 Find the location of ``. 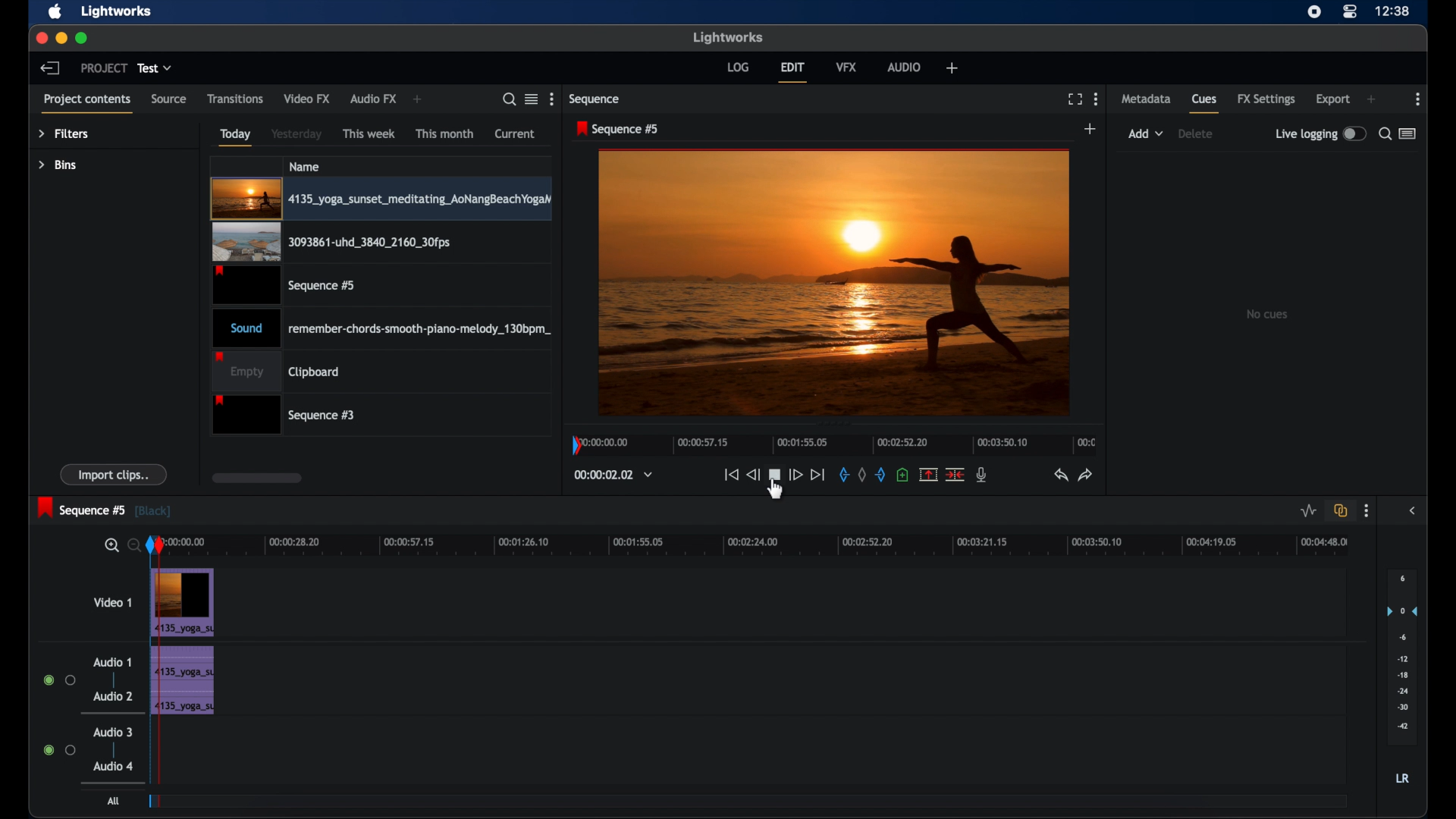

 is located at coordinates (928, 473).